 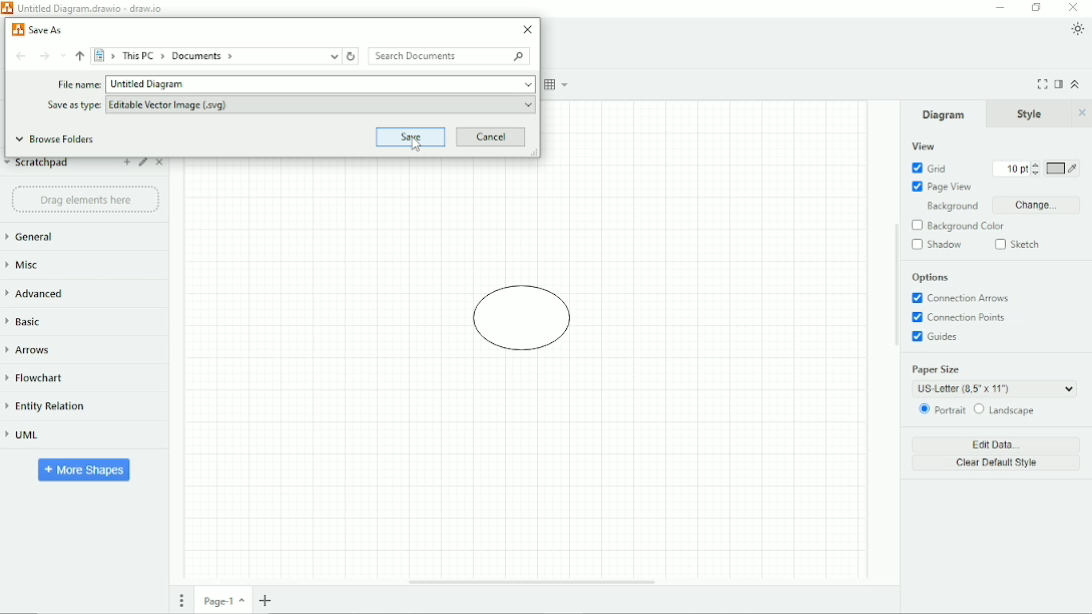 What do you see at coordinates (1017, 169) in the screenshot?
I see `Grid size` at bounding box center [1017, 169].